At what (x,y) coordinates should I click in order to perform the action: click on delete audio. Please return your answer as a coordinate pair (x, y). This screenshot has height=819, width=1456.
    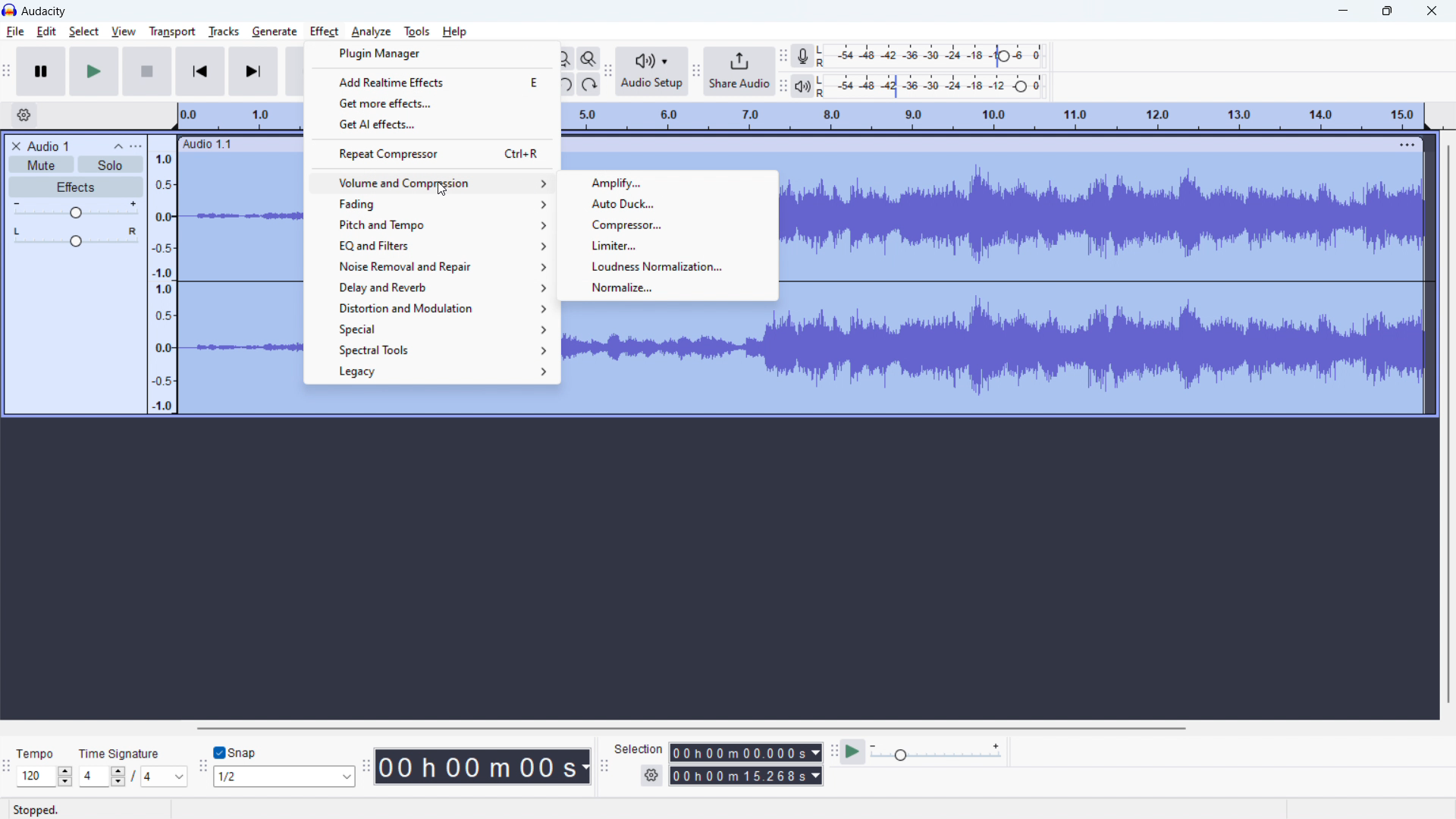
    Looking at the image, I should click on (15, 146).